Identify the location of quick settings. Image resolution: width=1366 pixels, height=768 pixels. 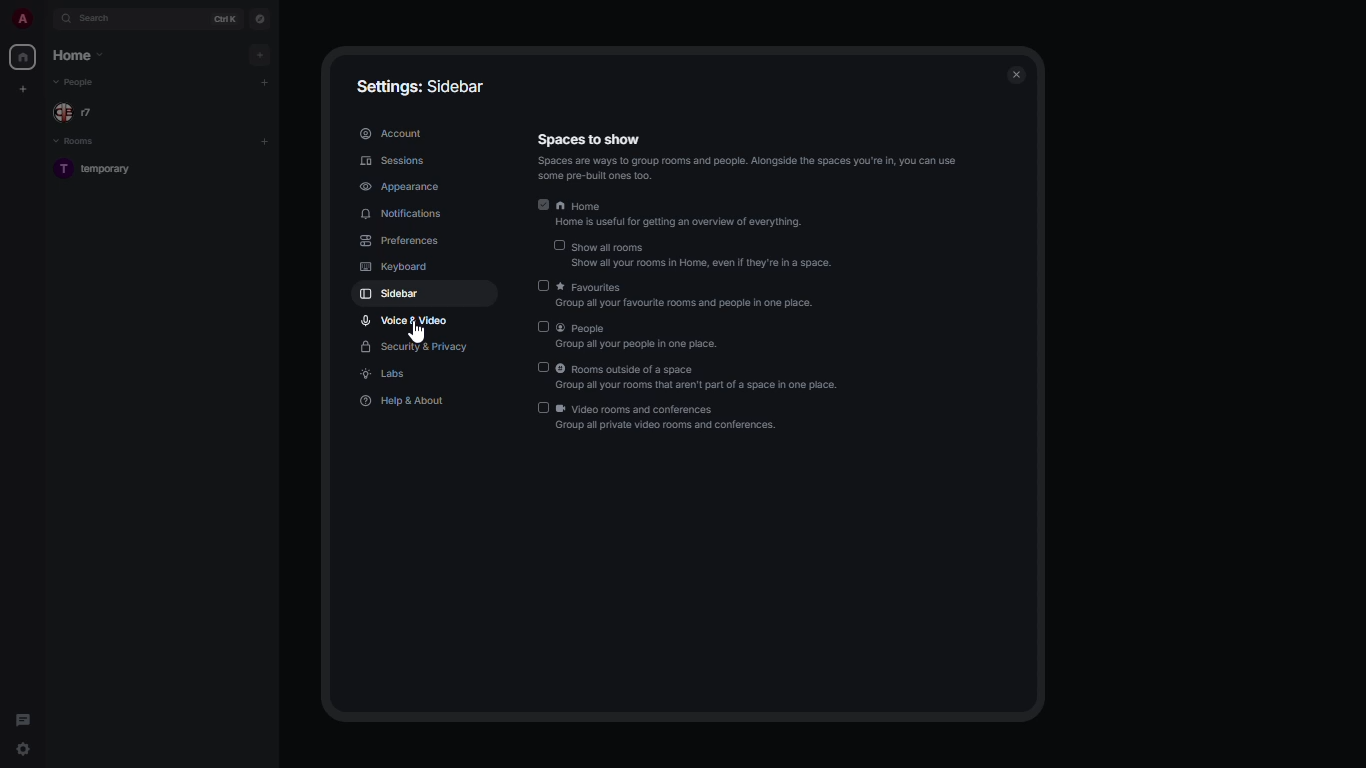
(22, 748).